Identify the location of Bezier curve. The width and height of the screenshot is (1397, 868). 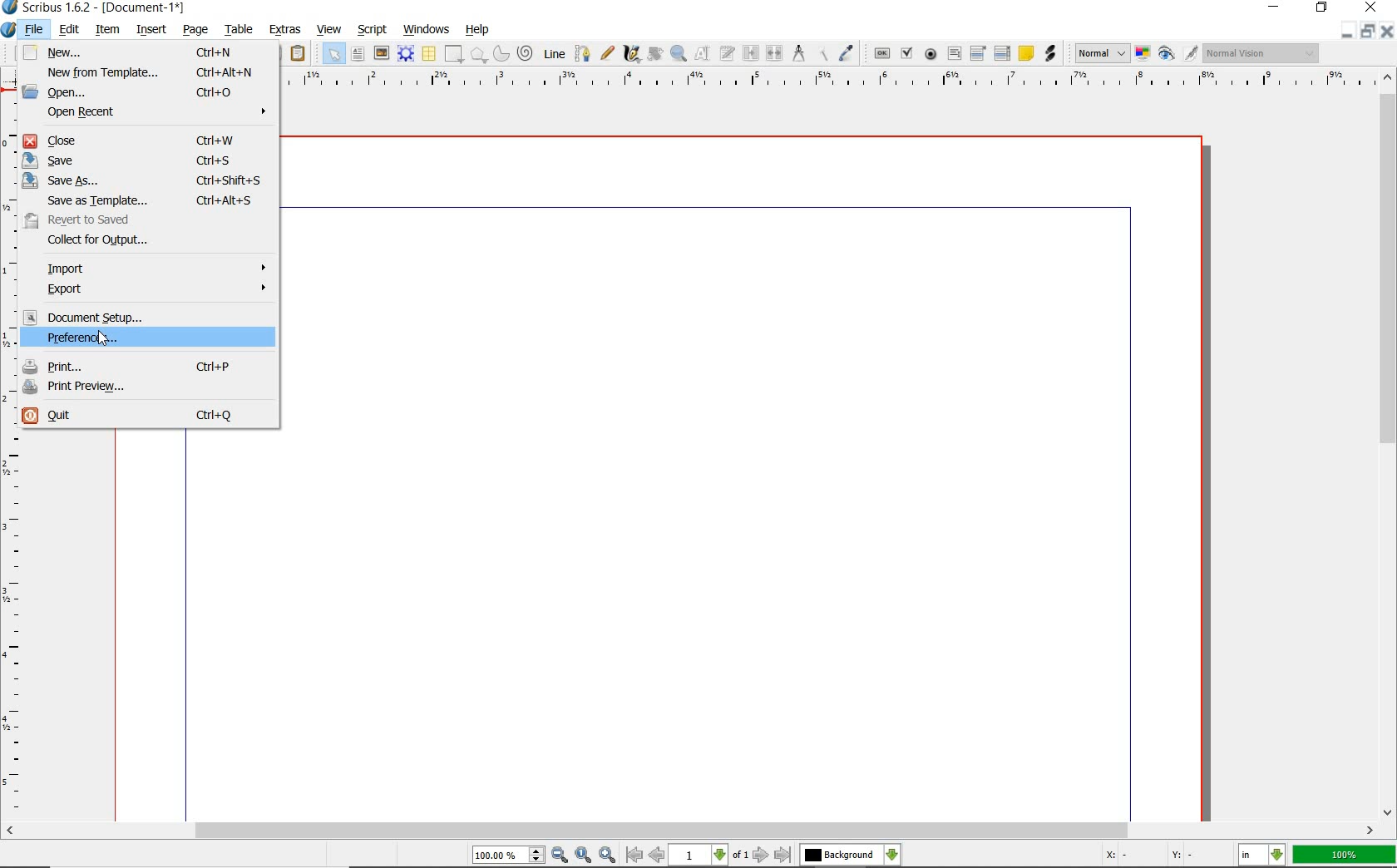
(582, 52).